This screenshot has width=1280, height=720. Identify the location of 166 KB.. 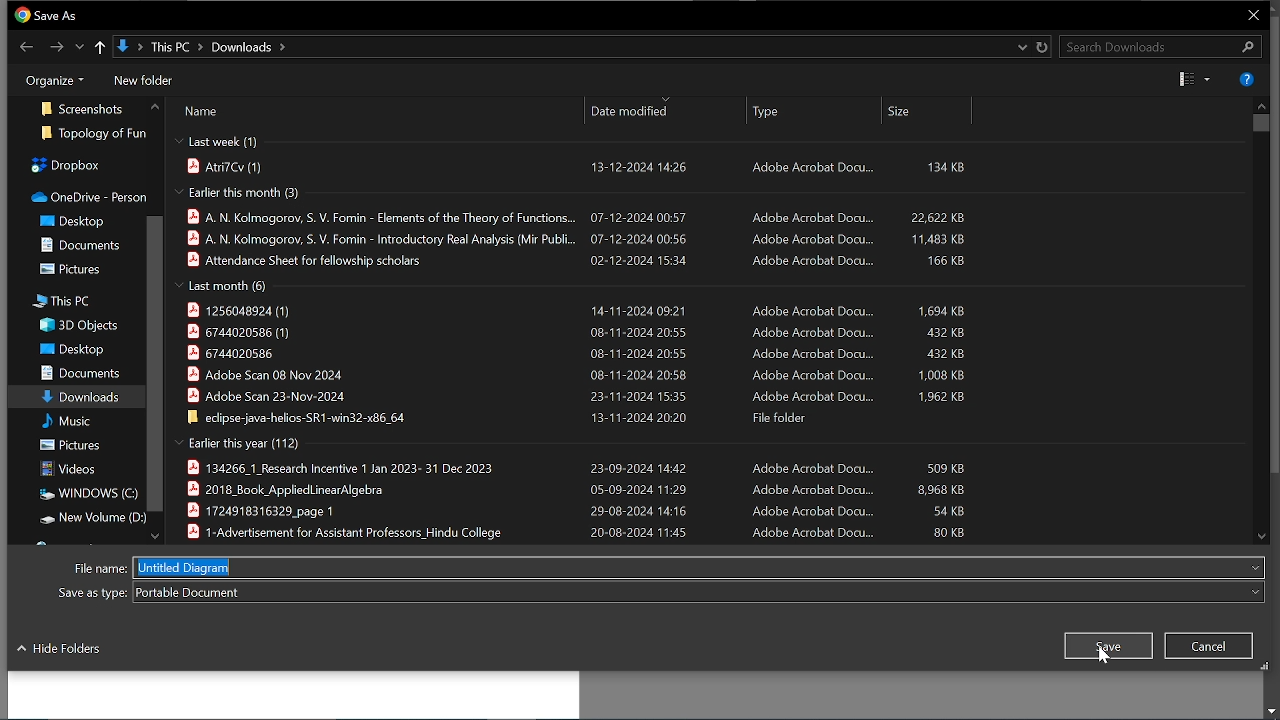
(936, 261).